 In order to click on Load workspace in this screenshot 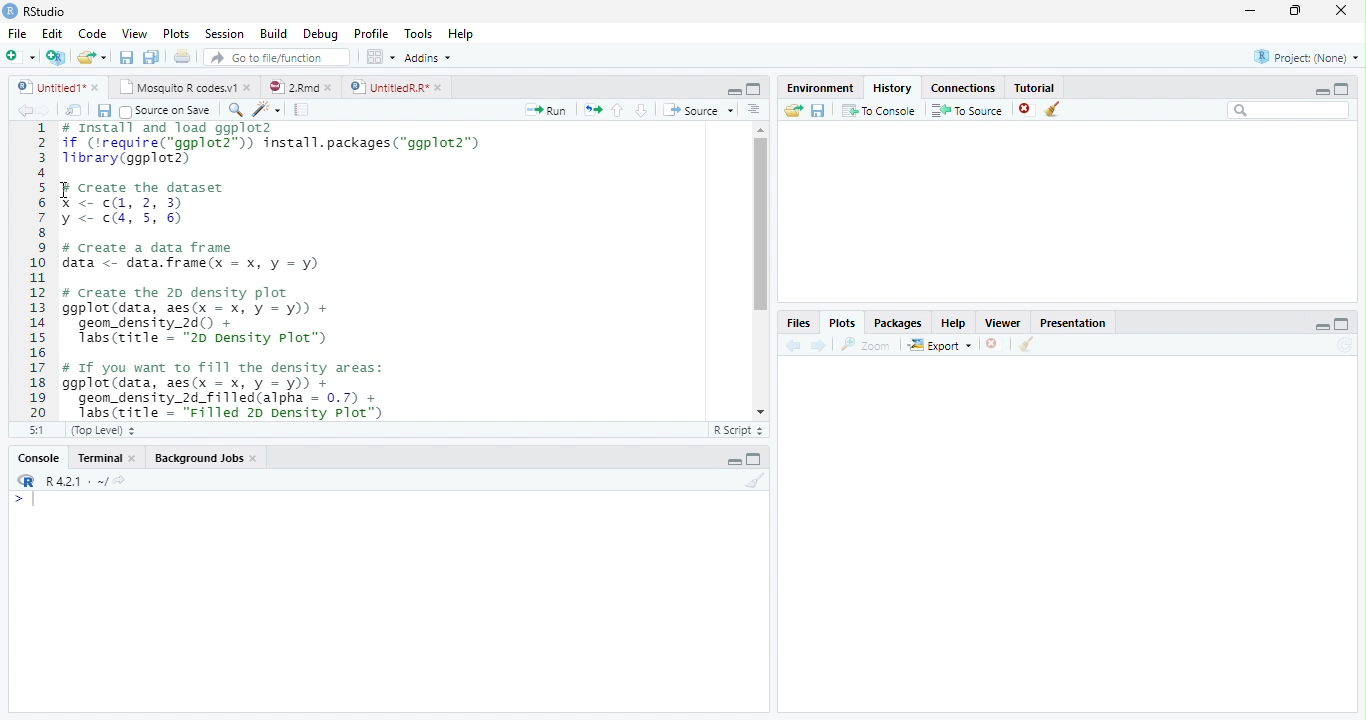, I will do `click(791, 111)`.